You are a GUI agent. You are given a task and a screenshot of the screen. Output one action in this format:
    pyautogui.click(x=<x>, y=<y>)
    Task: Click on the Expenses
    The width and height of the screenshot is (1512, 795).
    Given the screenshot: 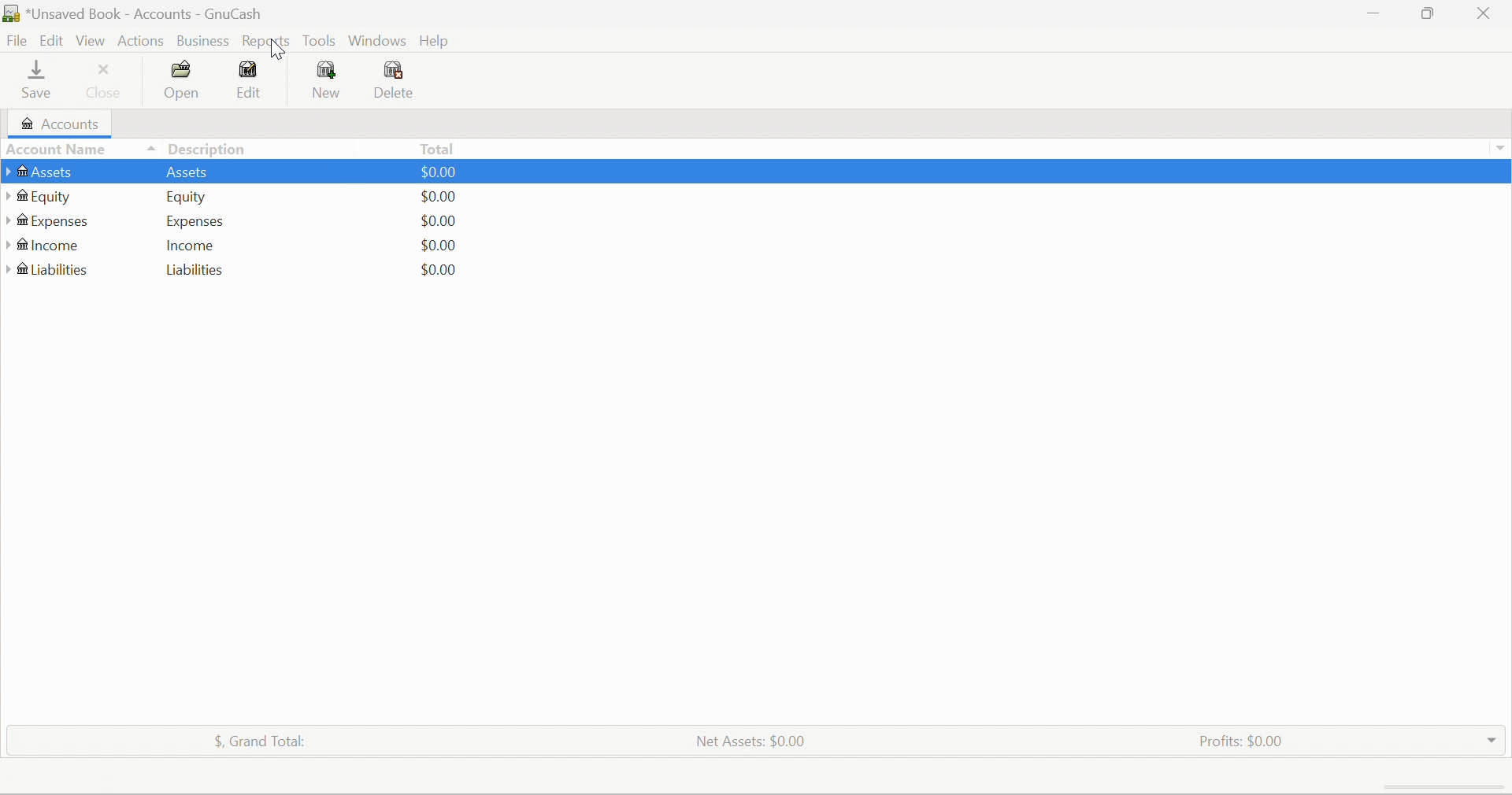 What is the action you would take?
    pyautogui.click(x=50, y=223)
    